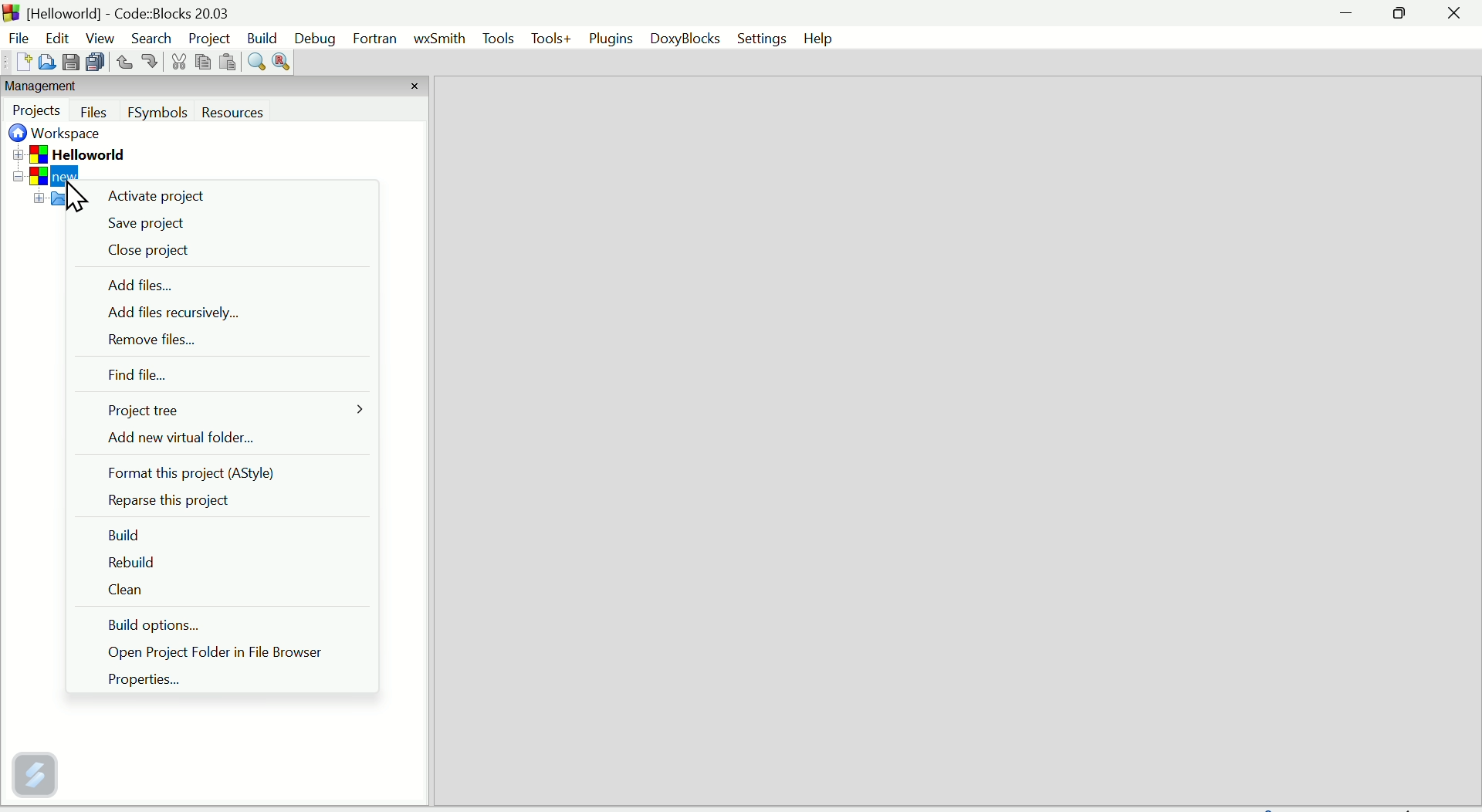 This screenshot has width=1482, height=812. I want to click on F symbols, so click(158, 116).